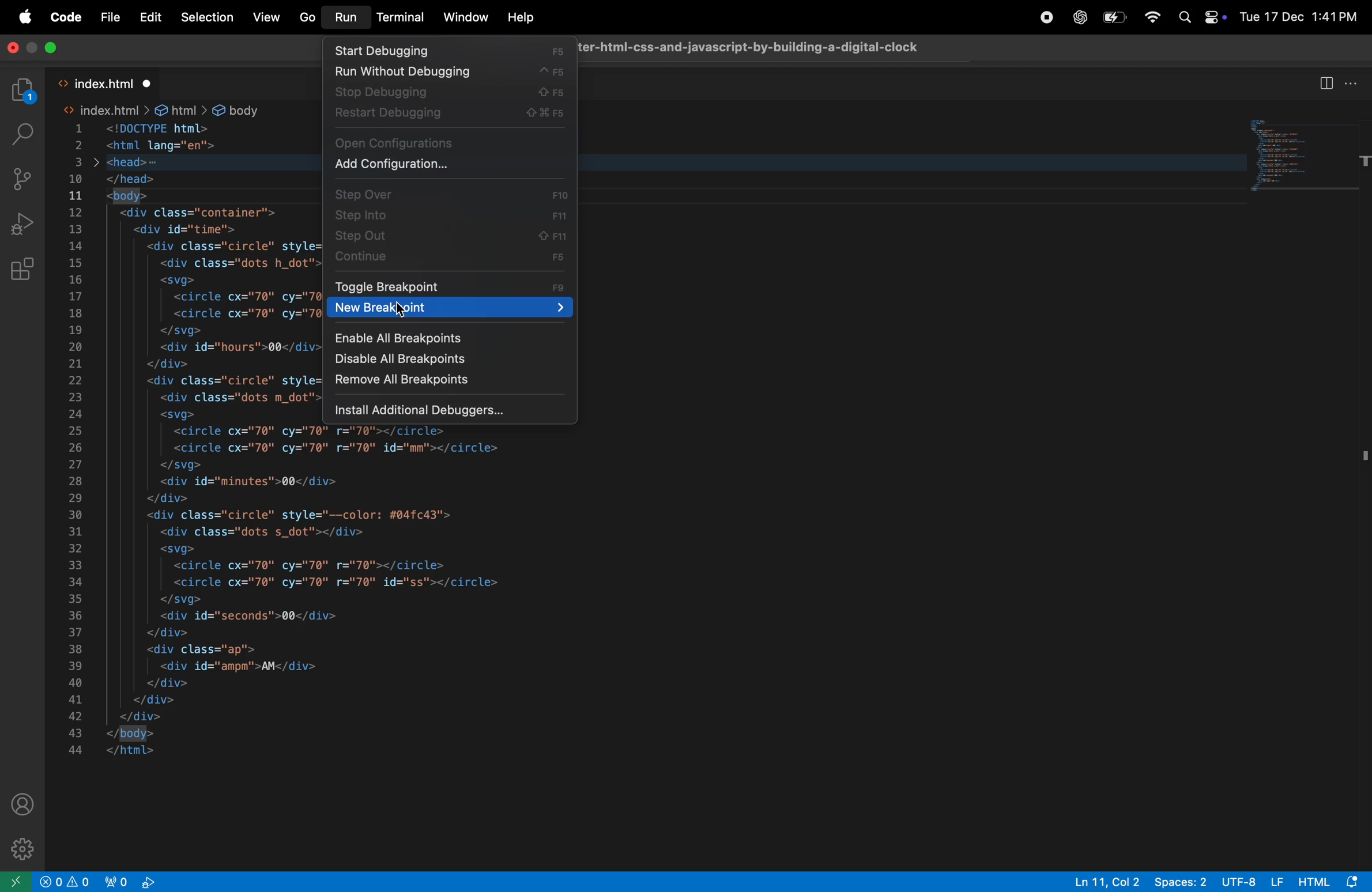  I want to click on terminal, so click(401, 17).